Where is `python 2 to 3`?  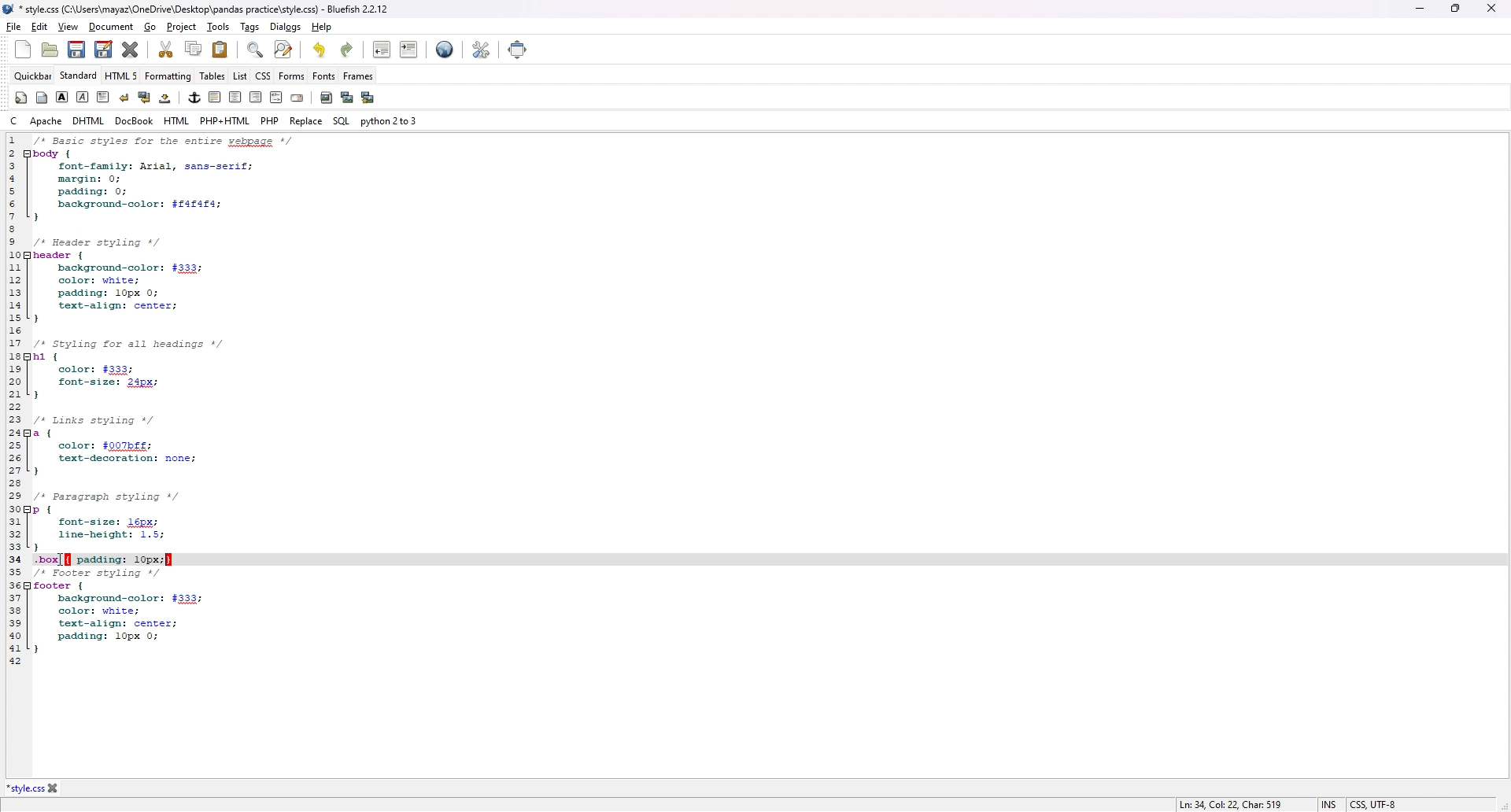 python 2 to 3 is located at coordinates (390, 120).